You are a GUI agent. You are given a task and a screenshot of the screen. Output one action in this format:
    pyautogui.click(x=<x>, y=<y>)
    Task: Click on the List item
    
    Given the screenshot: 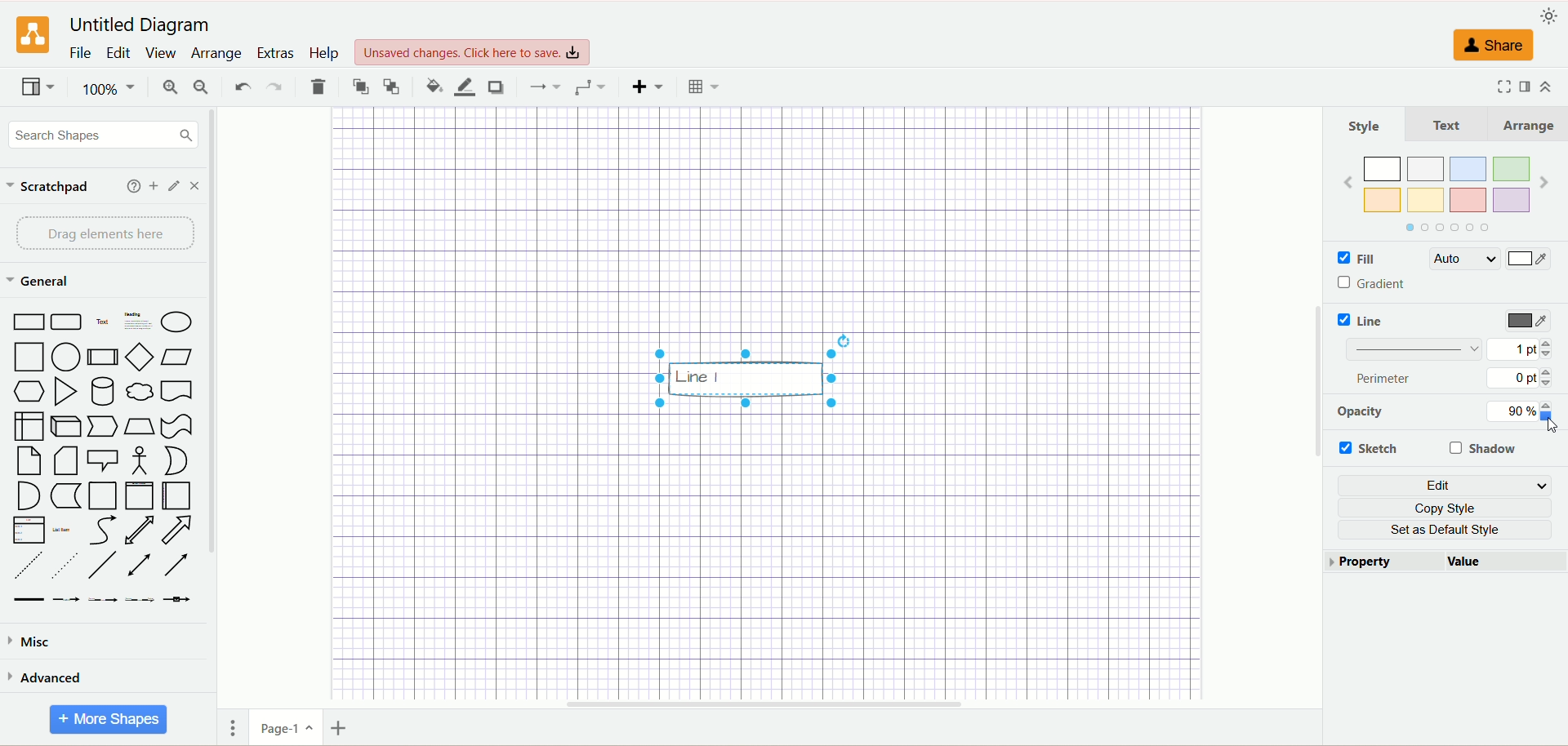 What is the action you would take?
    pyautogui.click(x=62, y=530)
    